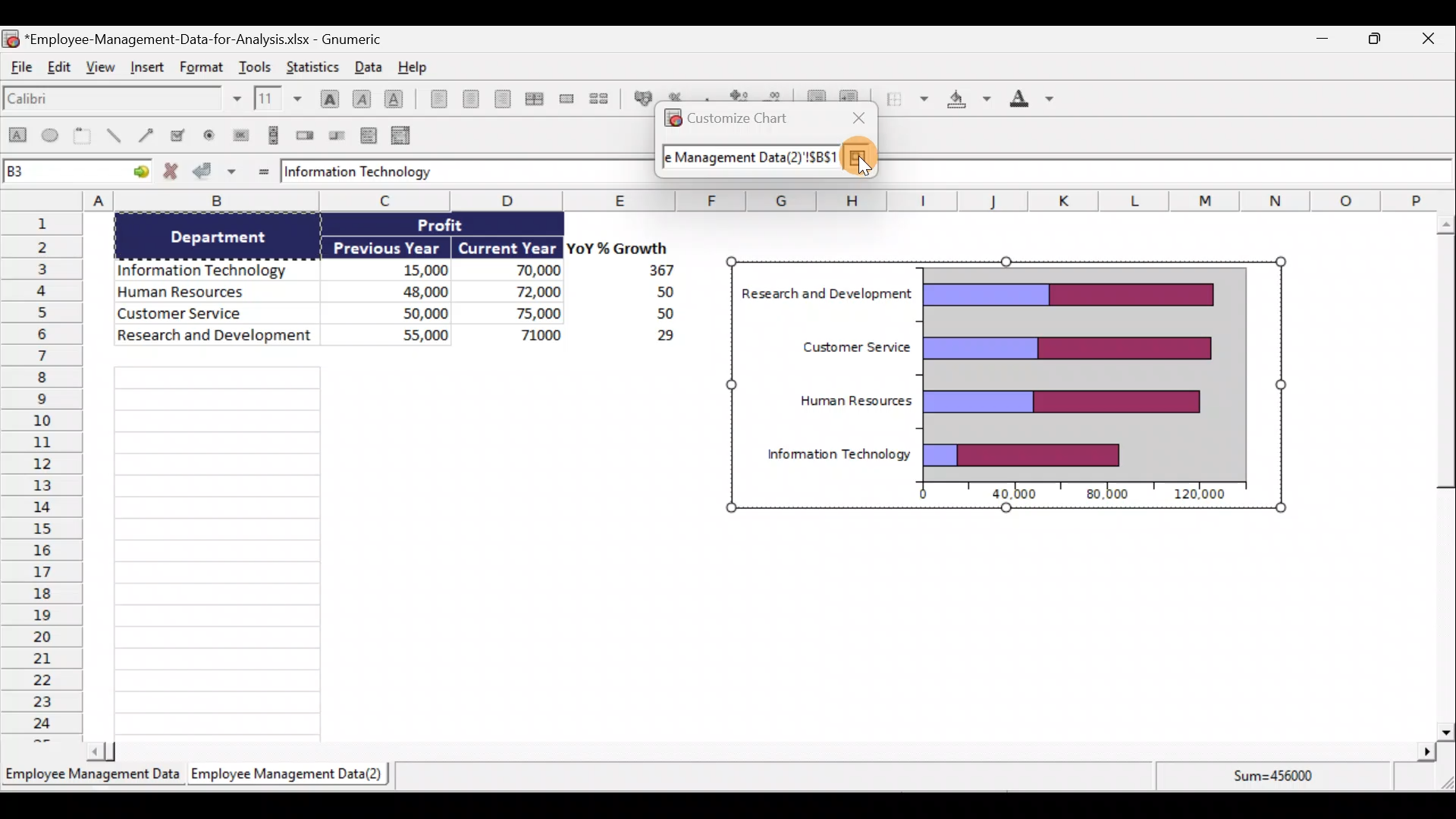 The height and width of the screenshot is (819, 1456). What do you see at coordinates (312, 65) in the screenshot?
I see `Statistics` at bounding box center [312, 65].